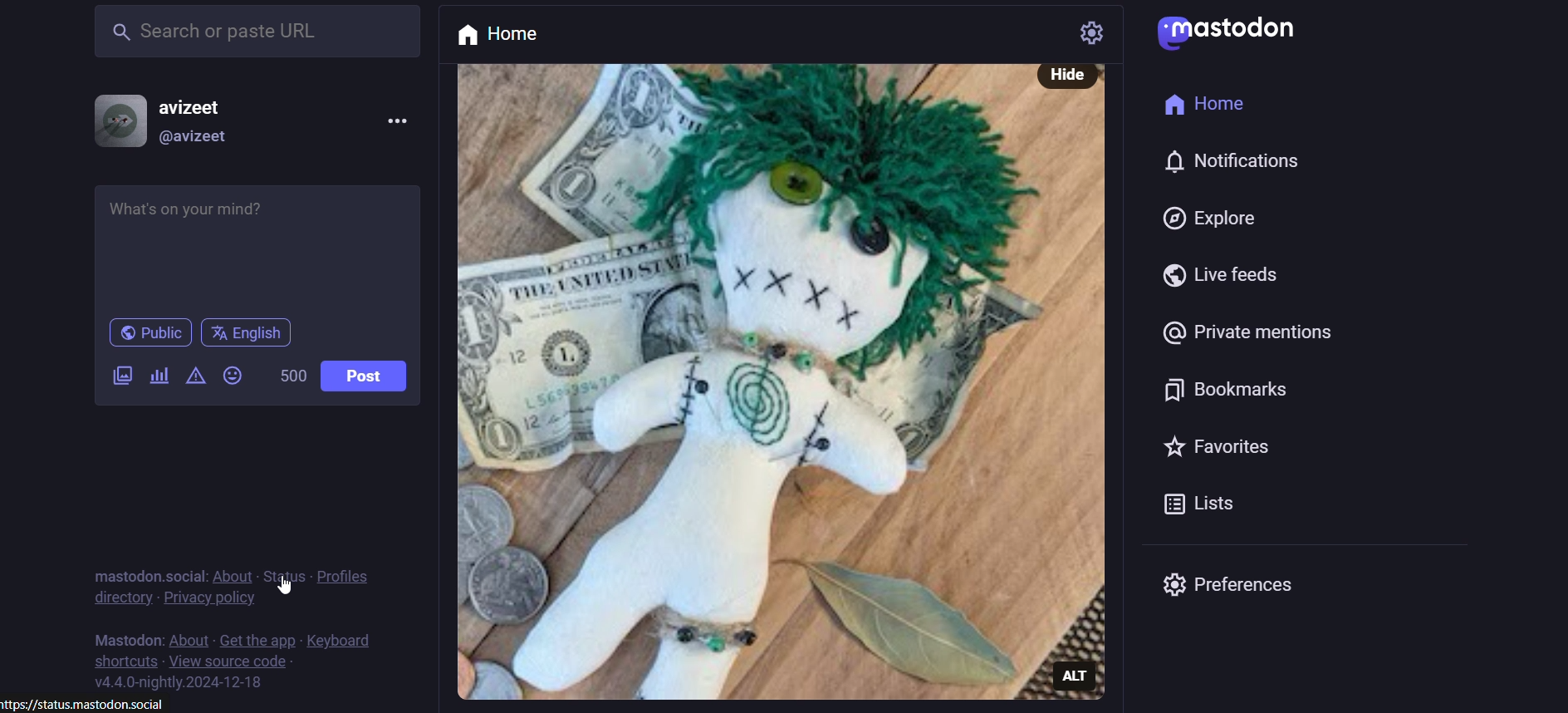 This screenshot has height=713, width=1568. What do you see at coordinates (207, 107) in the screenshot?
I see `username` at bounding box center [207, 107].